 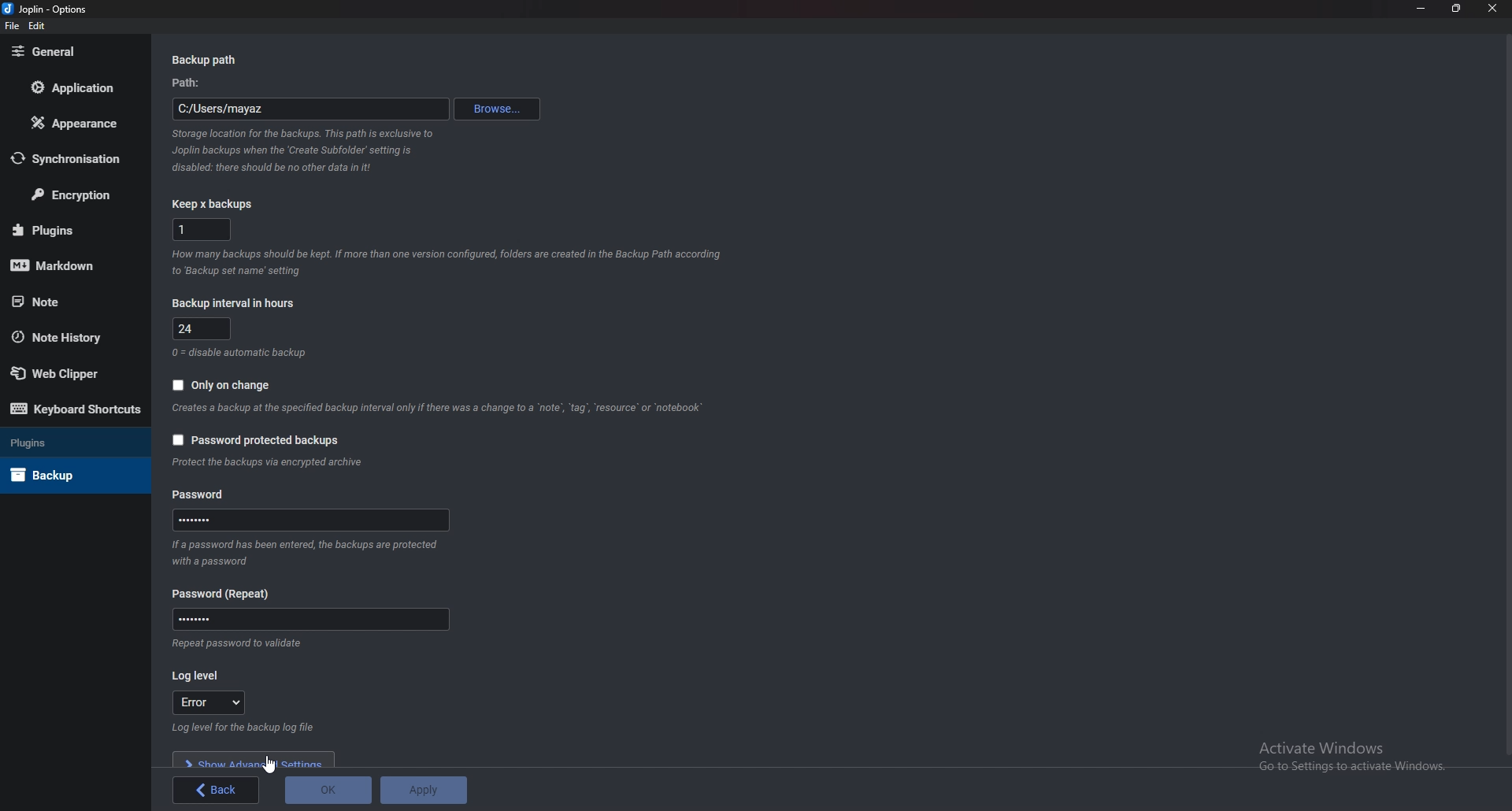 I want to click on hours, so click(x=203, y=328).